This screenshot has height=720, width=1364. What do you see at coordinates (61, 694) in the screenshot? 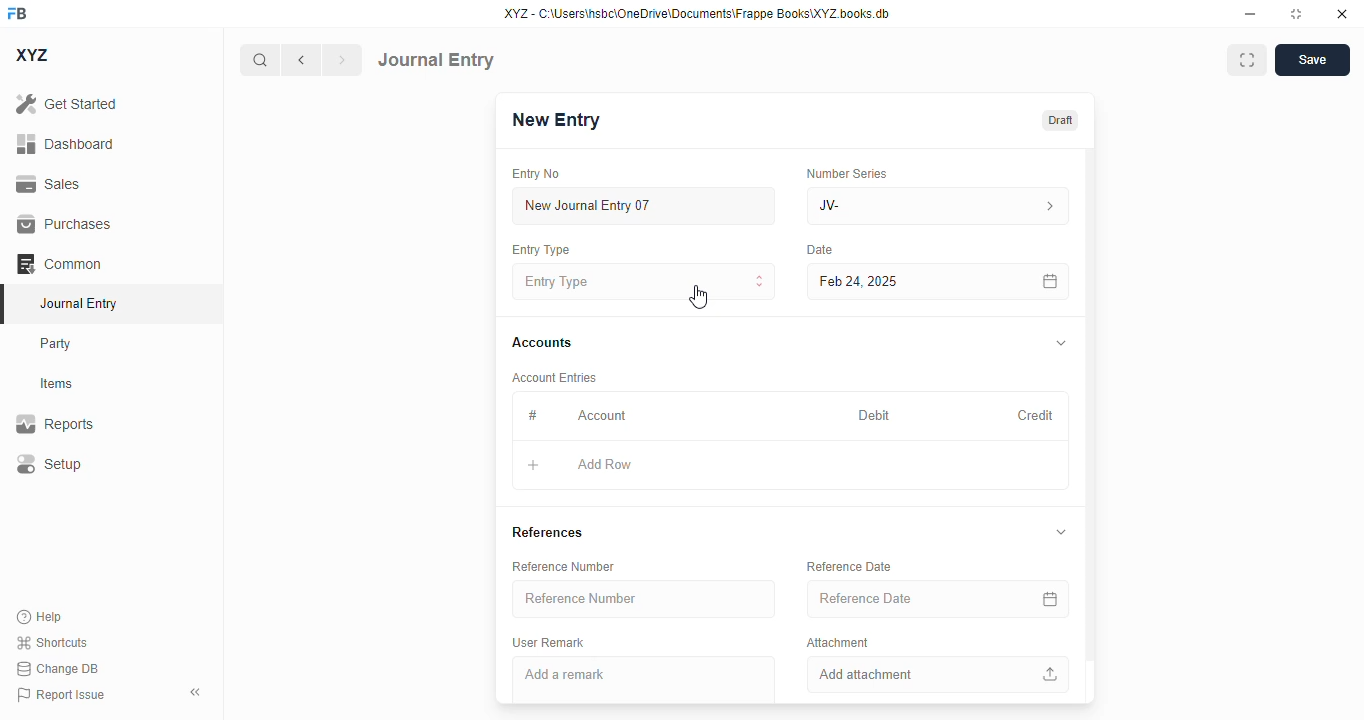
I see `report issue` at bounding box center [61, 694].